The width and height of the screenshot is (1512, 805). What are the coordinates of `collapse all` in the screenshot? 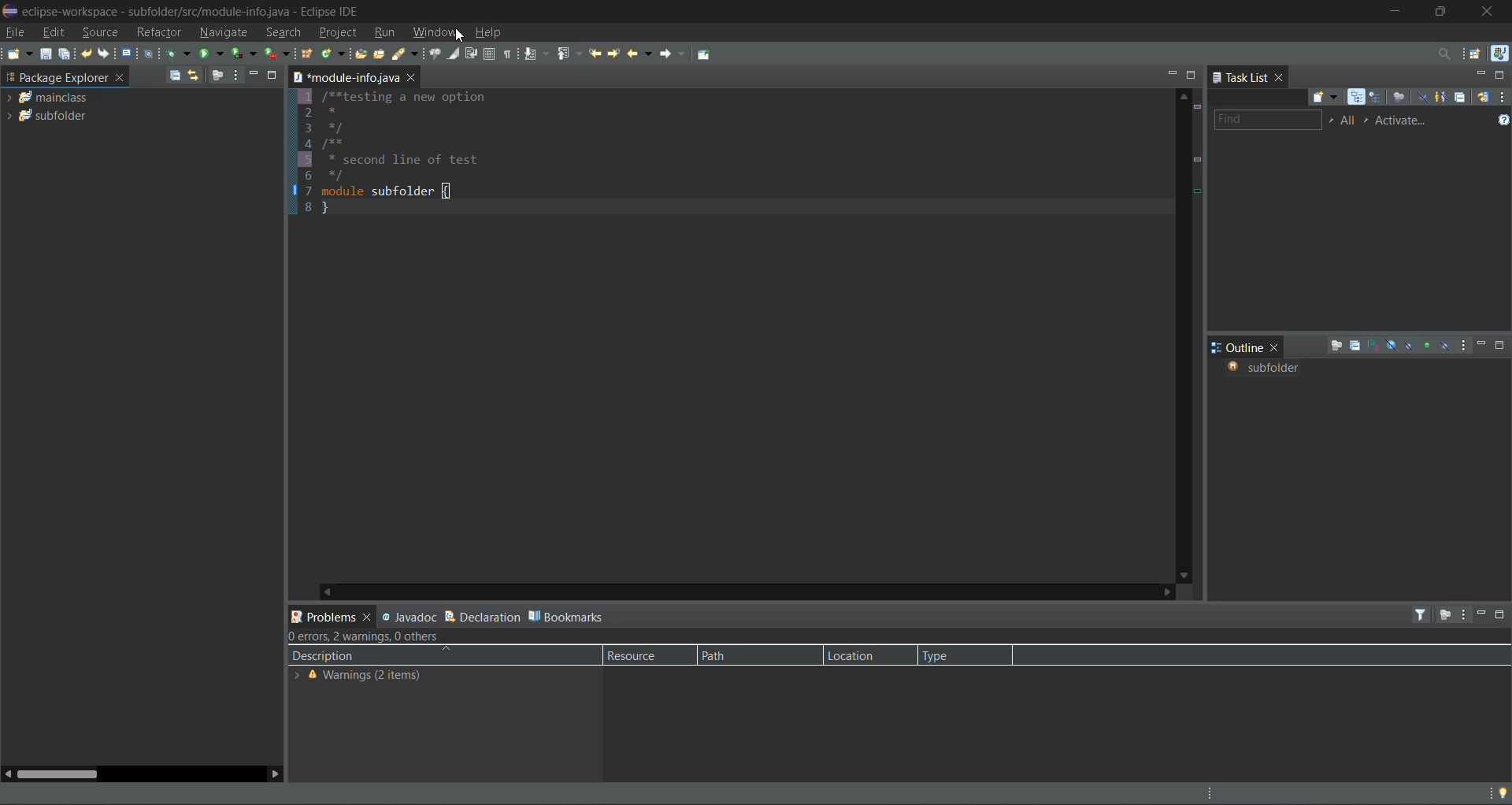 It's located at (1462, 97).